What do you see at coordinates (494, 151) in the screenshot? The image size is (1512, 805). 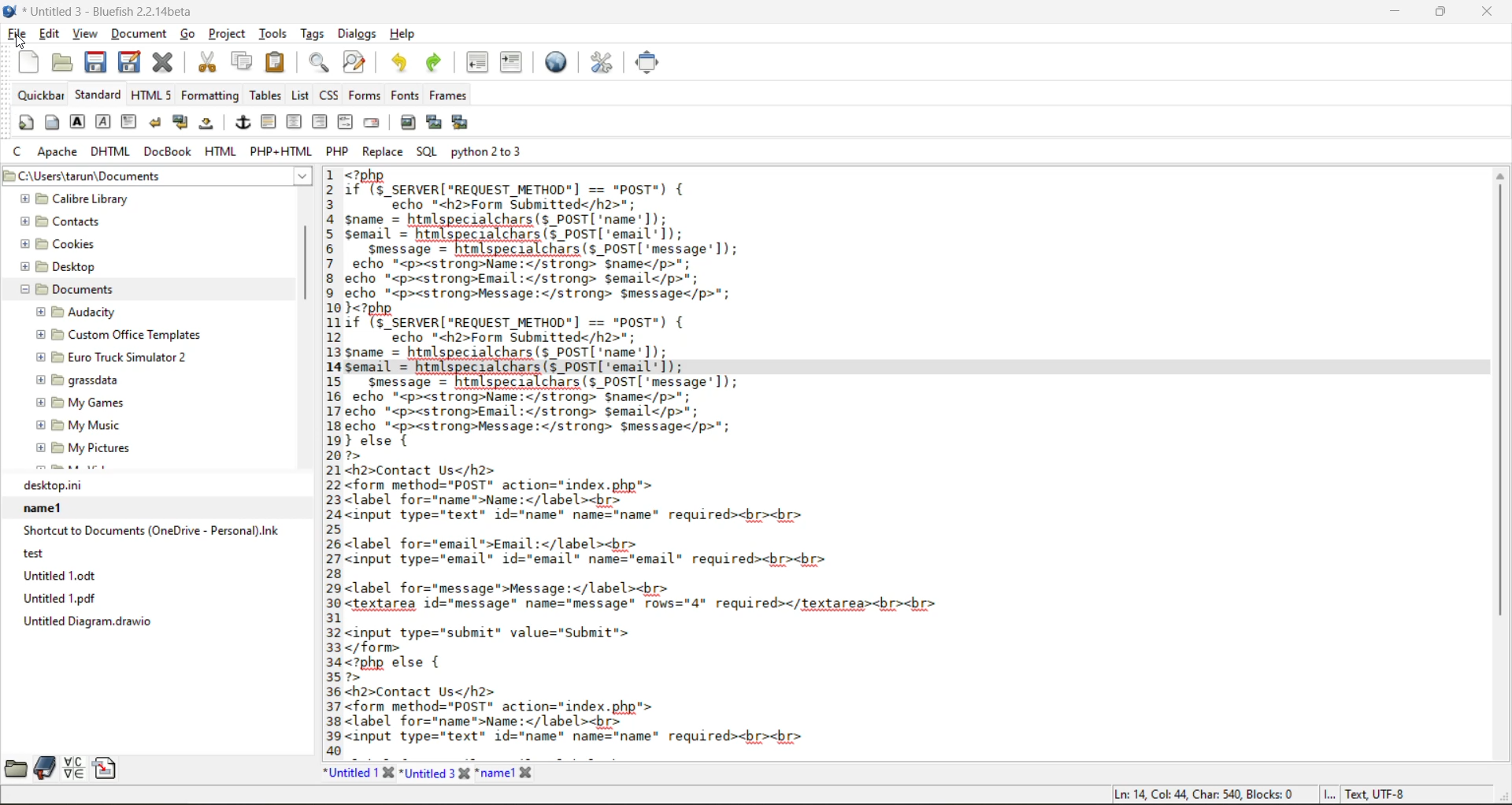 I see `python 2 to 3` at bounding box center [494, 151].